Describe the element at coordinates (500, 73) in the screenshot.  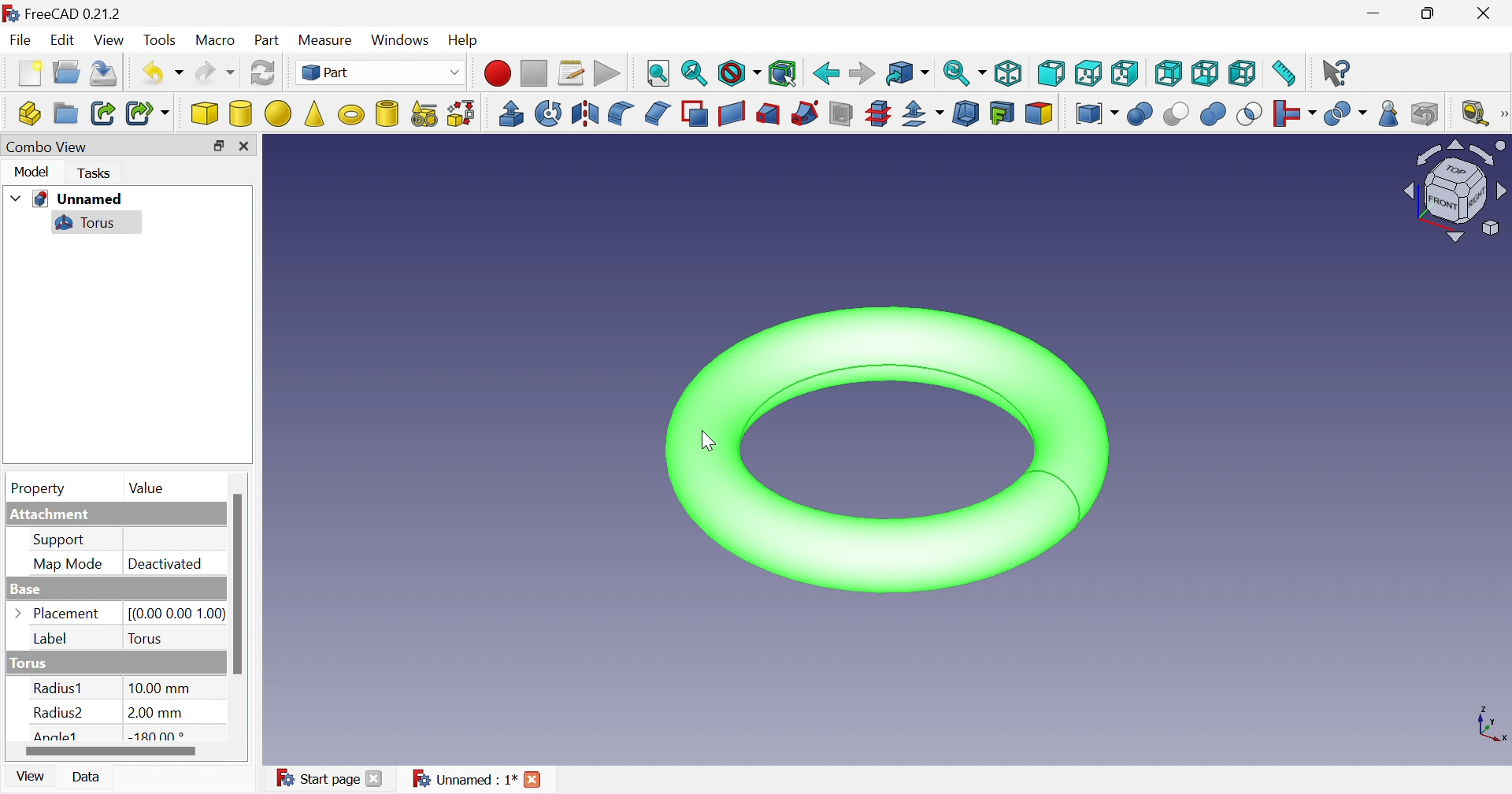
I see `Macro recording` at that location.